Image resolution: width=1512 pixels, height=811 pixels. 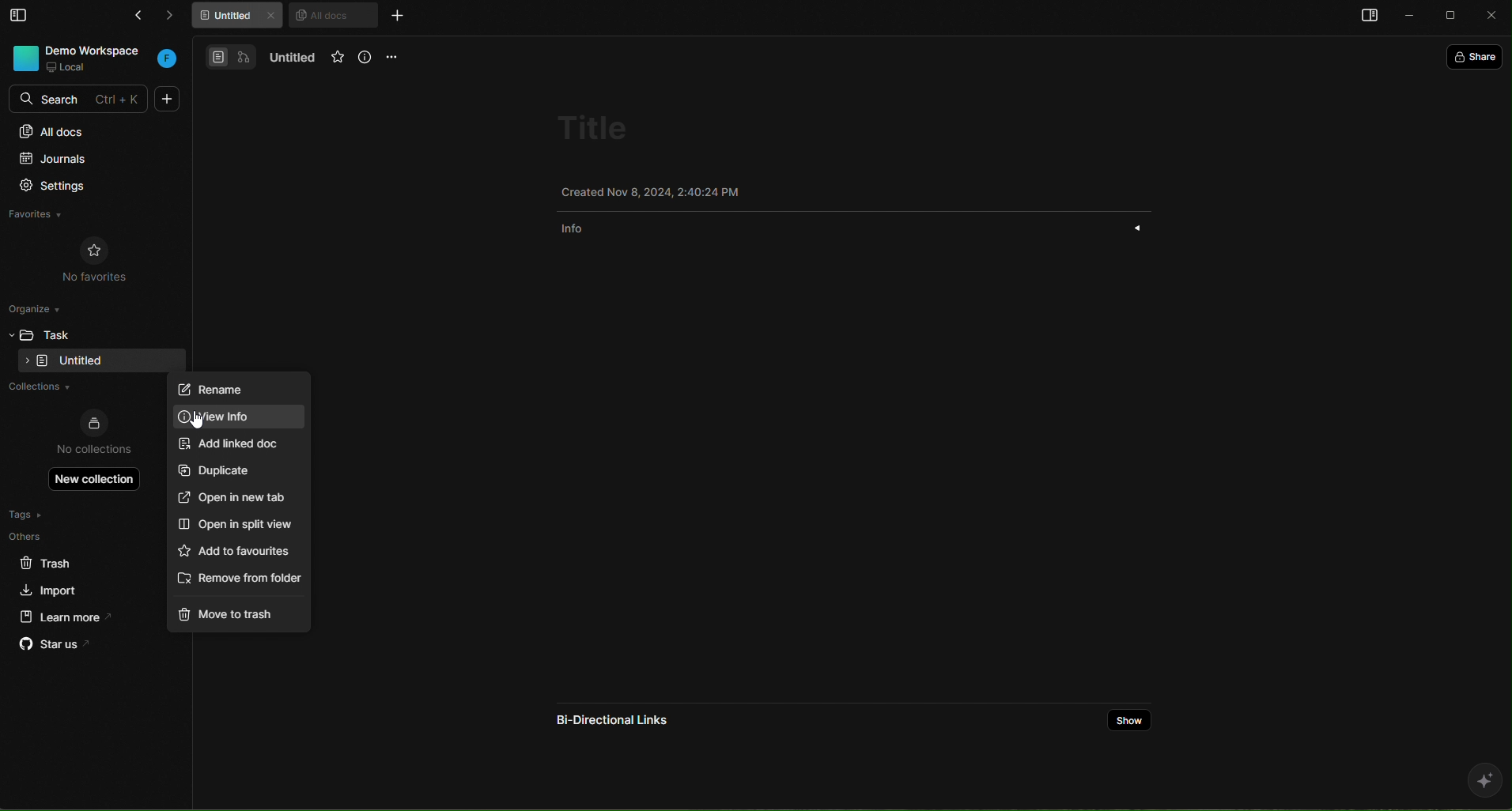 I want to click on new collection, so click(x=95, y=478).